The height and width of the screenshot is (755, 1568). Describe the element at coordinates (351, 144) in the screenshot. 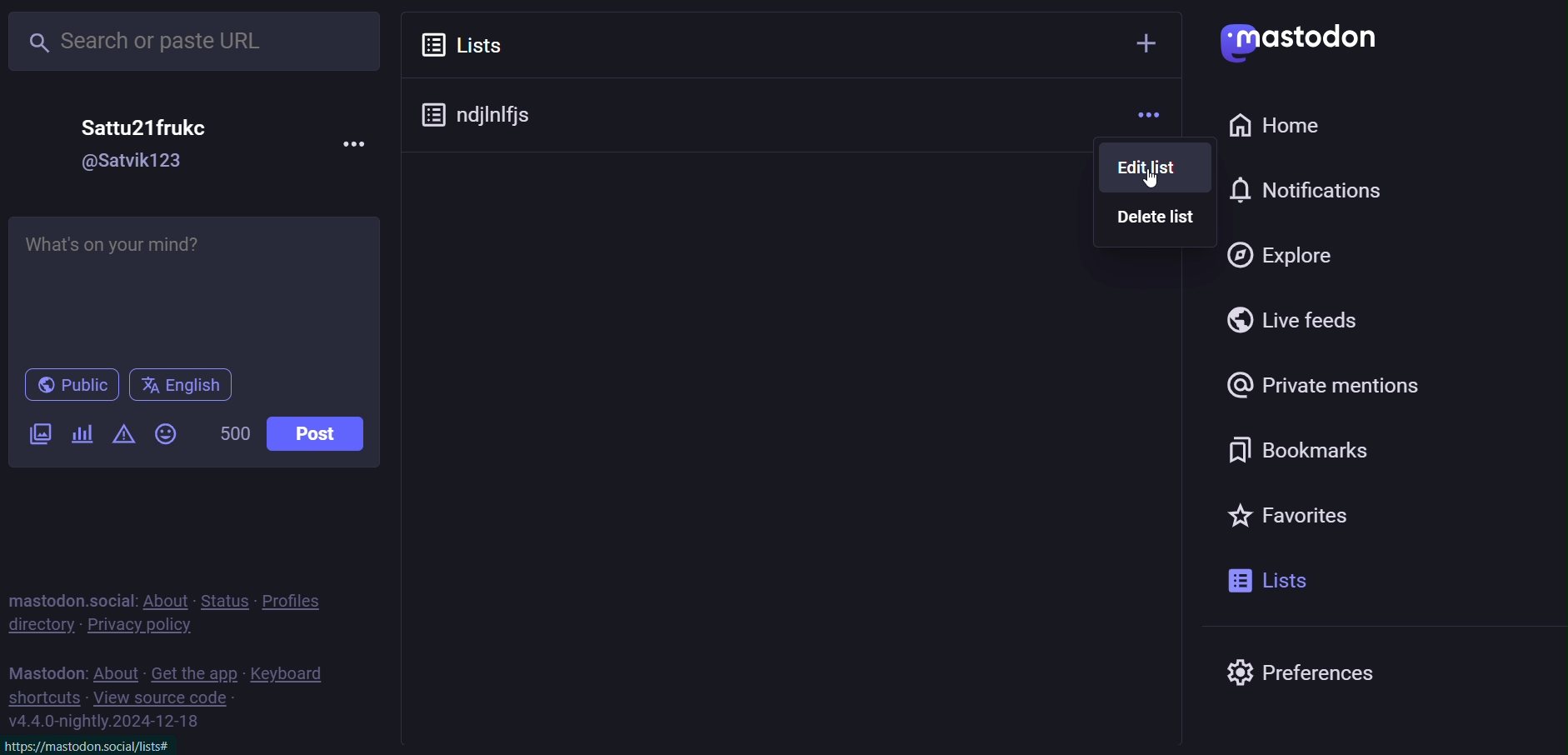

I see `more` at that location.